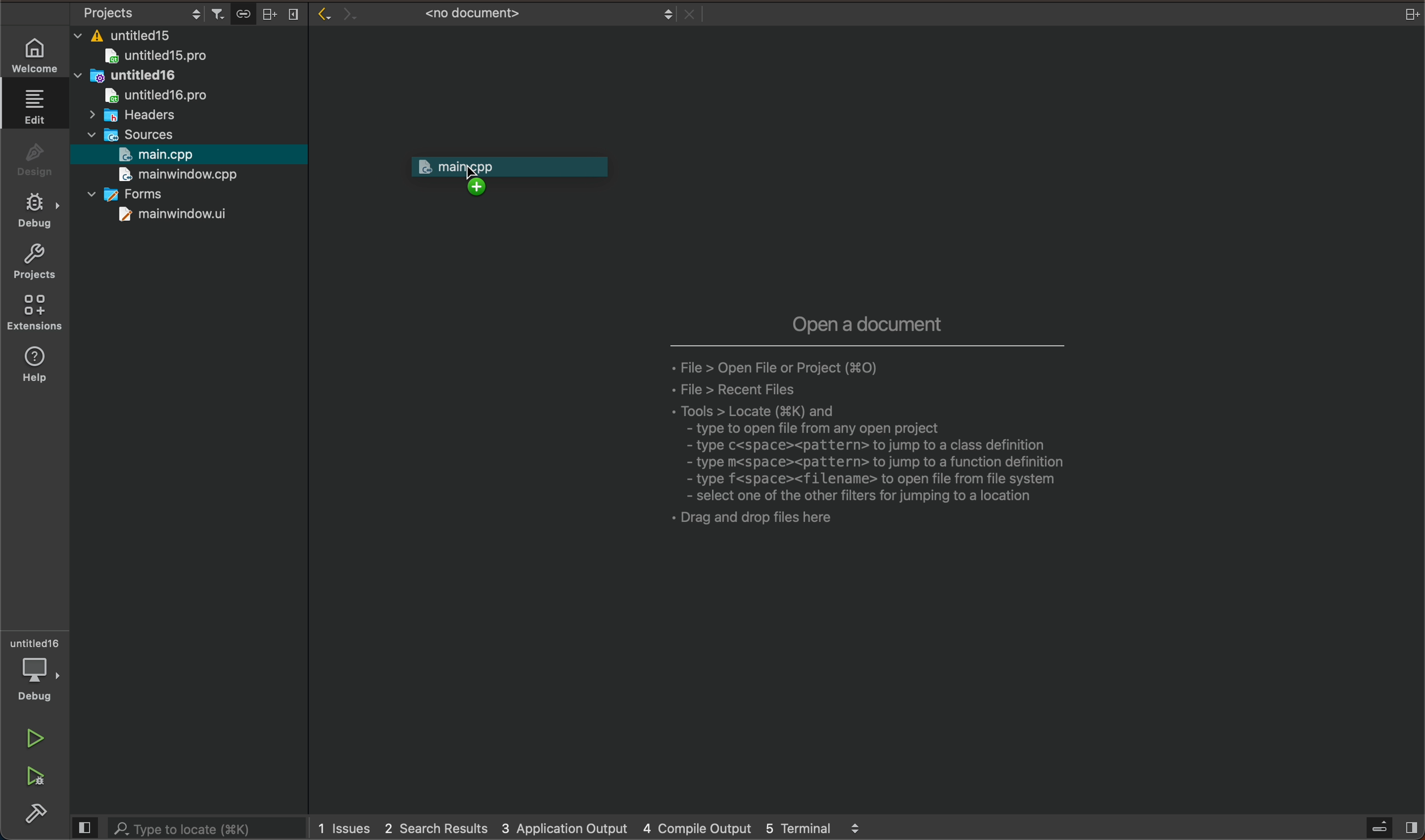 The image size is (1425, 840). I want to click on filter, so click(219, 14).